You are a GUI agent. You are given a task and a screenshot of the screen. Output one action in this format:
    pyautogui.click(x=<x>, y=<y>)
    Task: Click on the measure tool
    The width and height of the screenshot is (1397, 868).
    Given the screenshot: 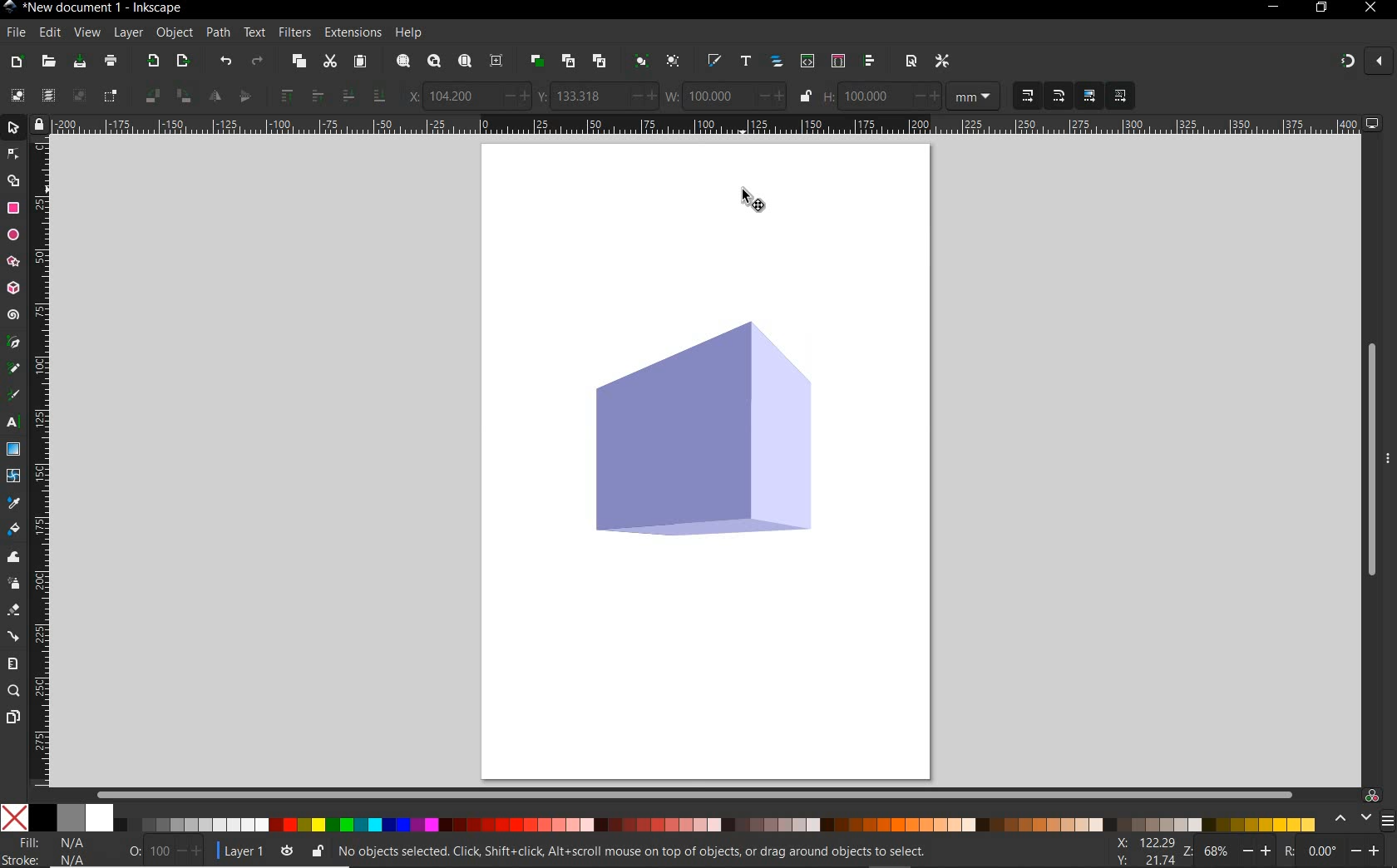 What is the action you would take?
    pyautogui.click(x=12, y=664)
    